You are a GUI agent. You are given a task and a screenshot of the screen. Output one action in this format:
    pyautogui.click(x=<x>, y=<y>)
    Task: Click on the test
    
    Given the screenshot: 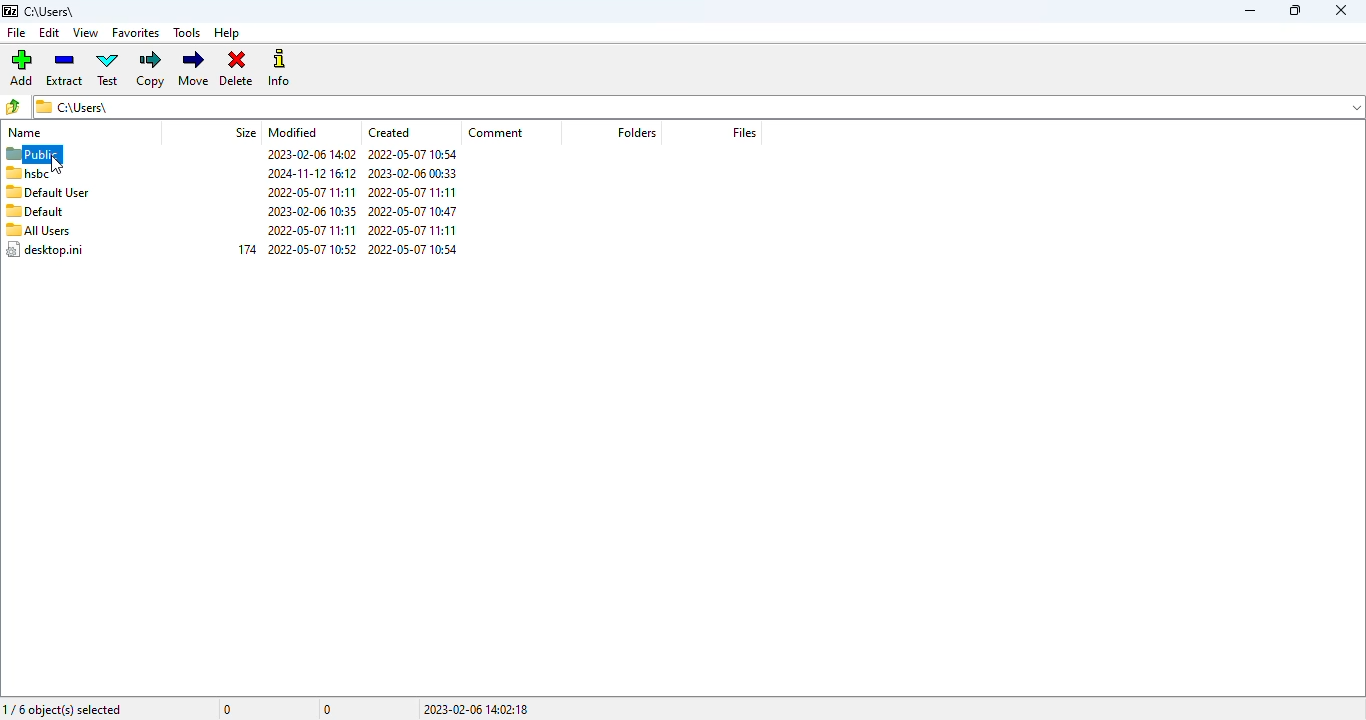 What is the action you would take?
    pyautogui.click(x=108, y=69)
    